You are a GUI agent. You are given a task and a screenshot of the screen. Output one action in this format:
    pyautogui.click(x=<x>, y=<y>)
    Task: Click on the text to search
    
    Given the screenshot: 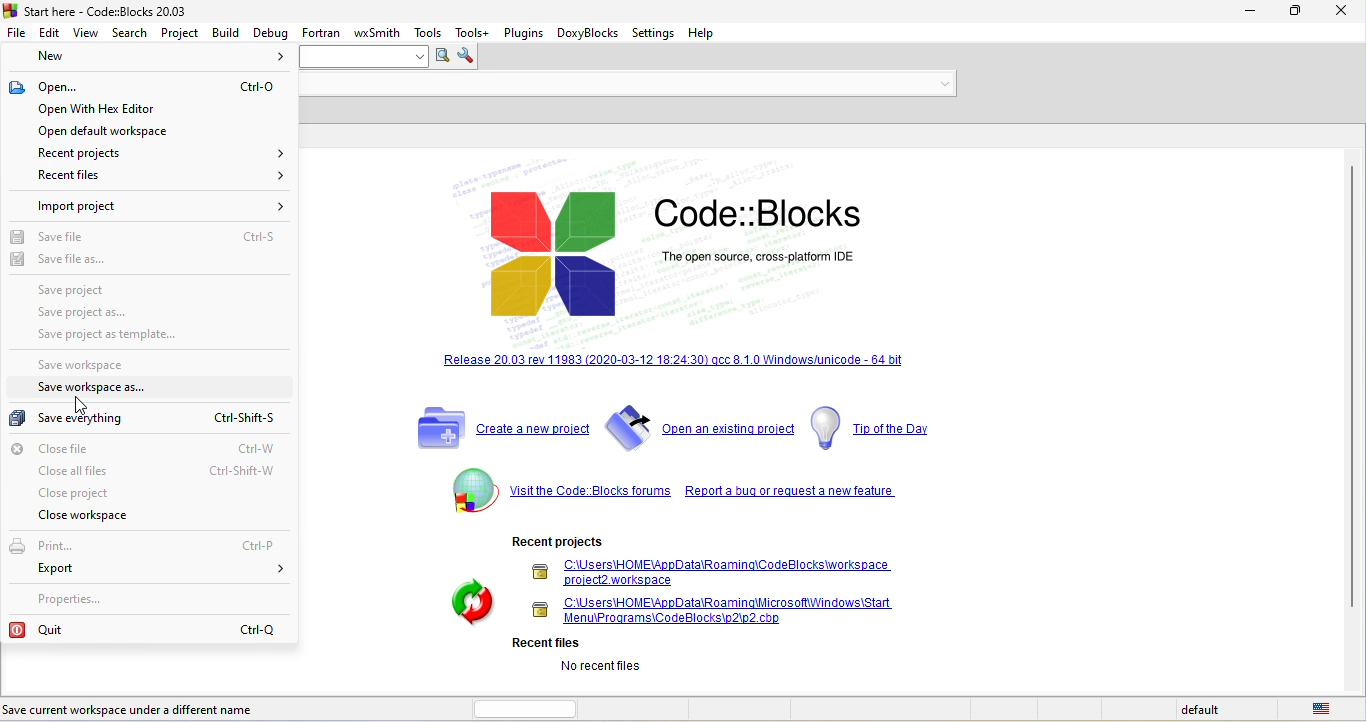 What is the action you would take?
    pyautogui.click(x=366, y=57)
    